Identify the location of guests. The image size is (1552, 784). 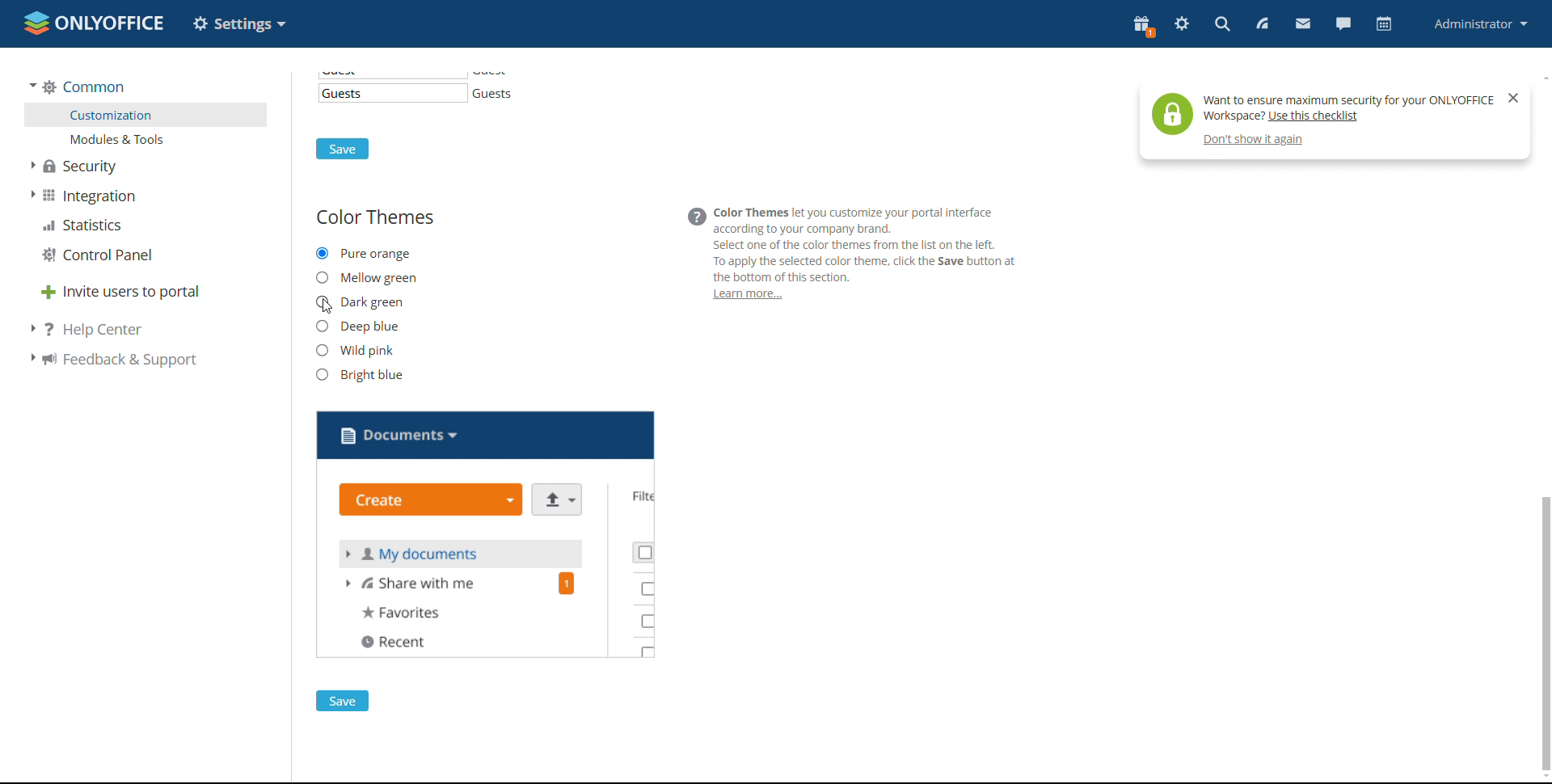
(500, 94).